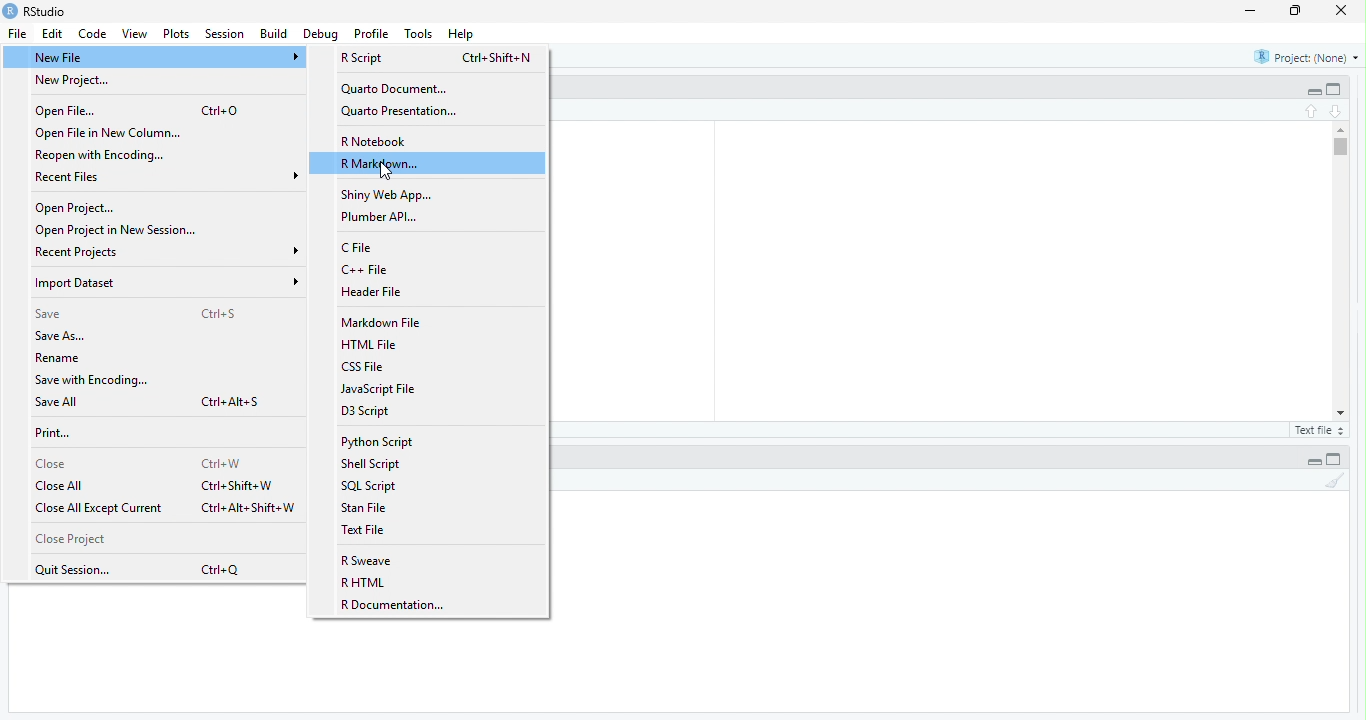 This screenshot has height=720, width=1366. What do you see at coordinates (1342, 270) in the screenshot?
I see `scrollbar` at bounding box center [1342, 270].